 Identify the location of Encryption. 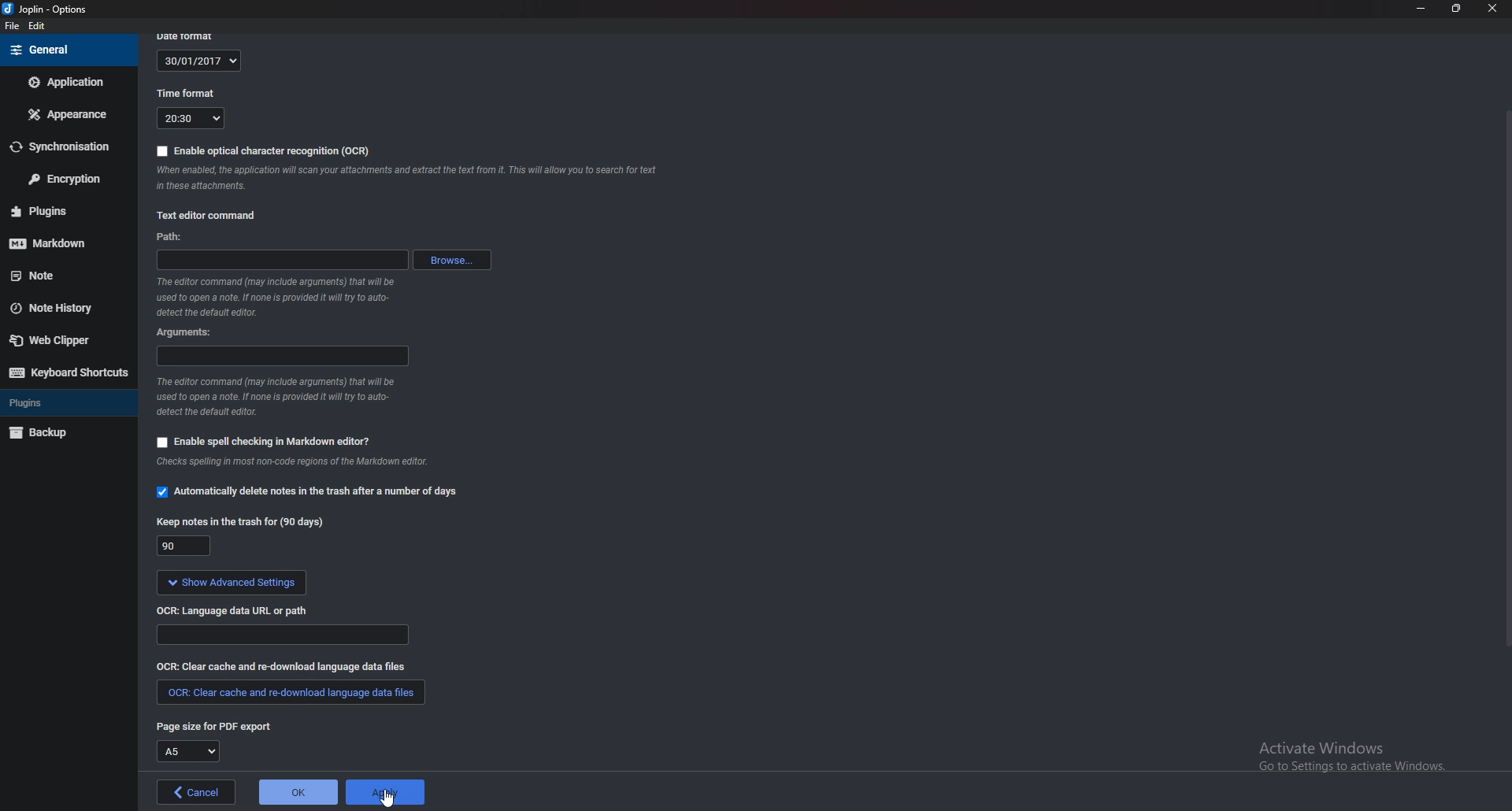
(61, 180).